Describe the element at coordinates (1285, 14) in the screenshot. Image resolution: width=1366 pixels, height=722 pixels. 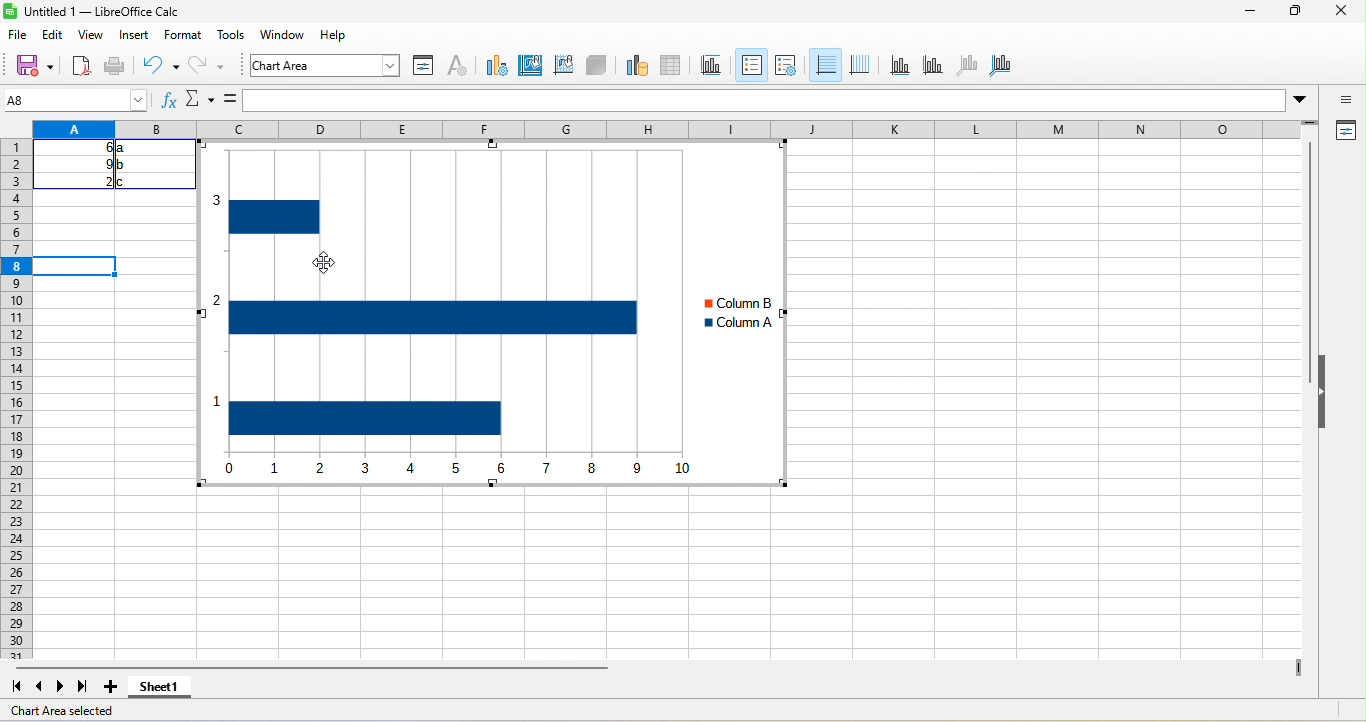
I see `maximize` at that location.